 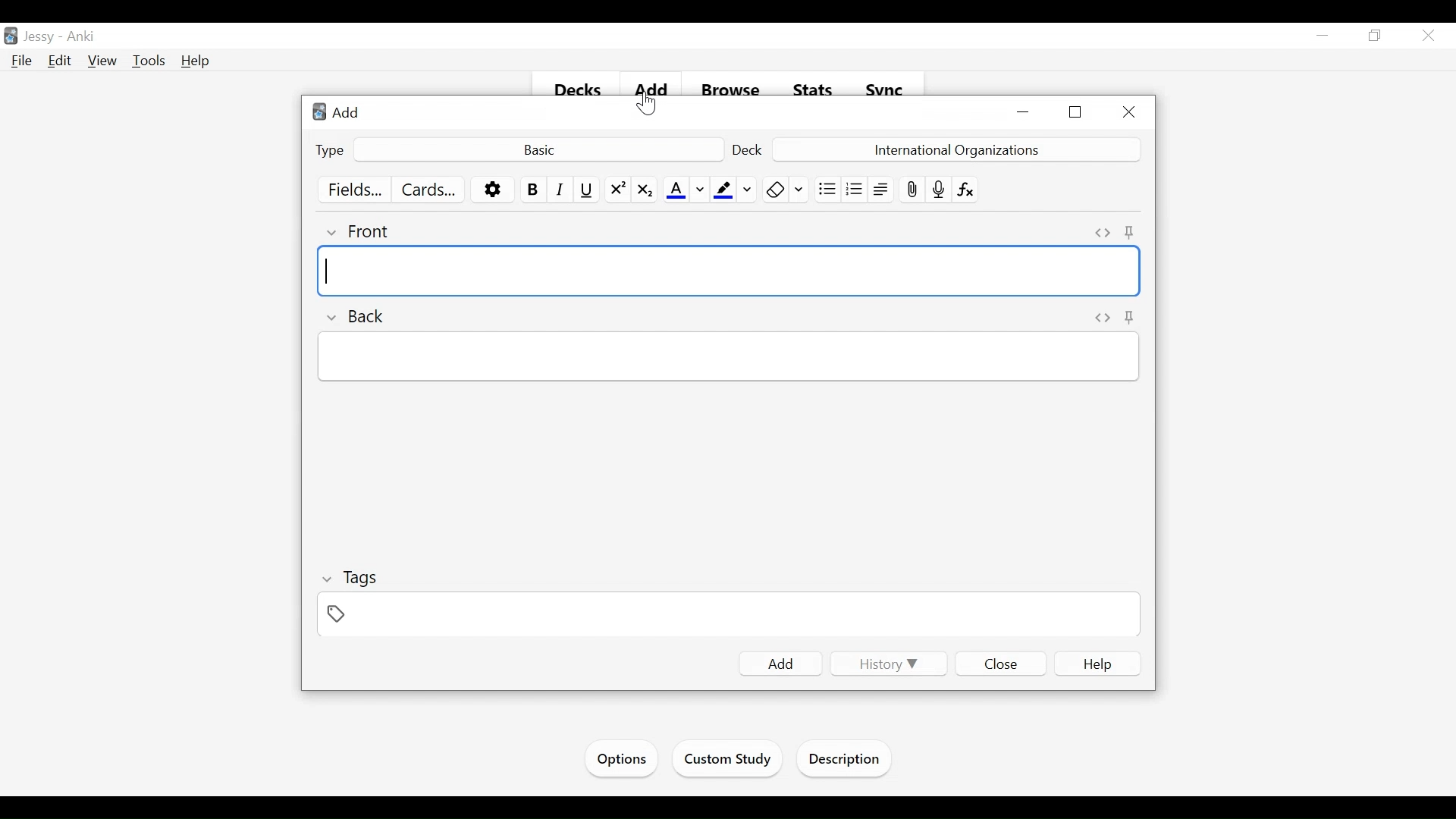 I want to click on Back, so click(x=356, y=317).